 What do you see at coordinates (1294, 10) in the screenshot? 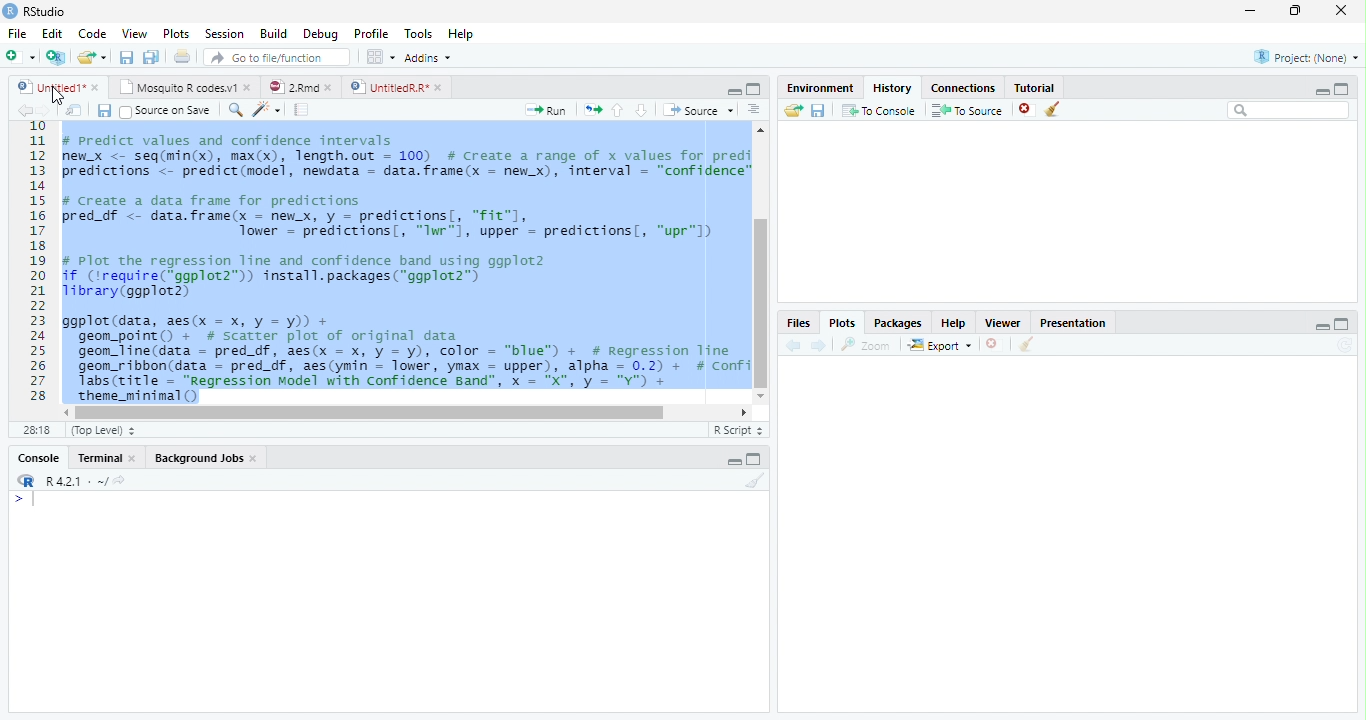
I see `Maximize` at bounding box center [1294, 10].